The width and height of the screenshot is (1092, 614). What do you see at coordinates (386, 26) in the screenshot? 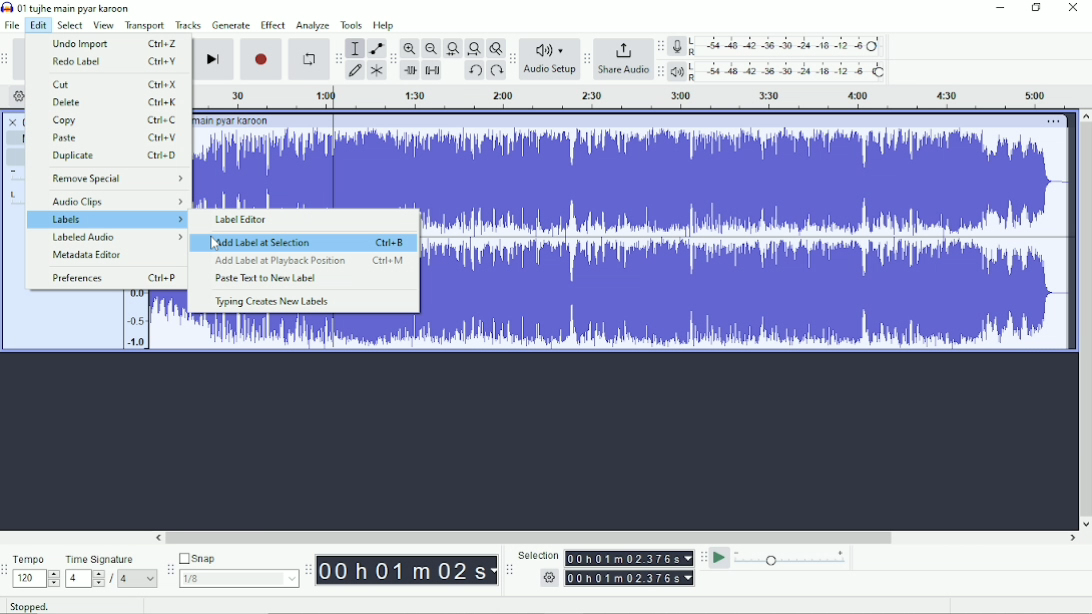
I see `Help` at bounding box center [386, 26].